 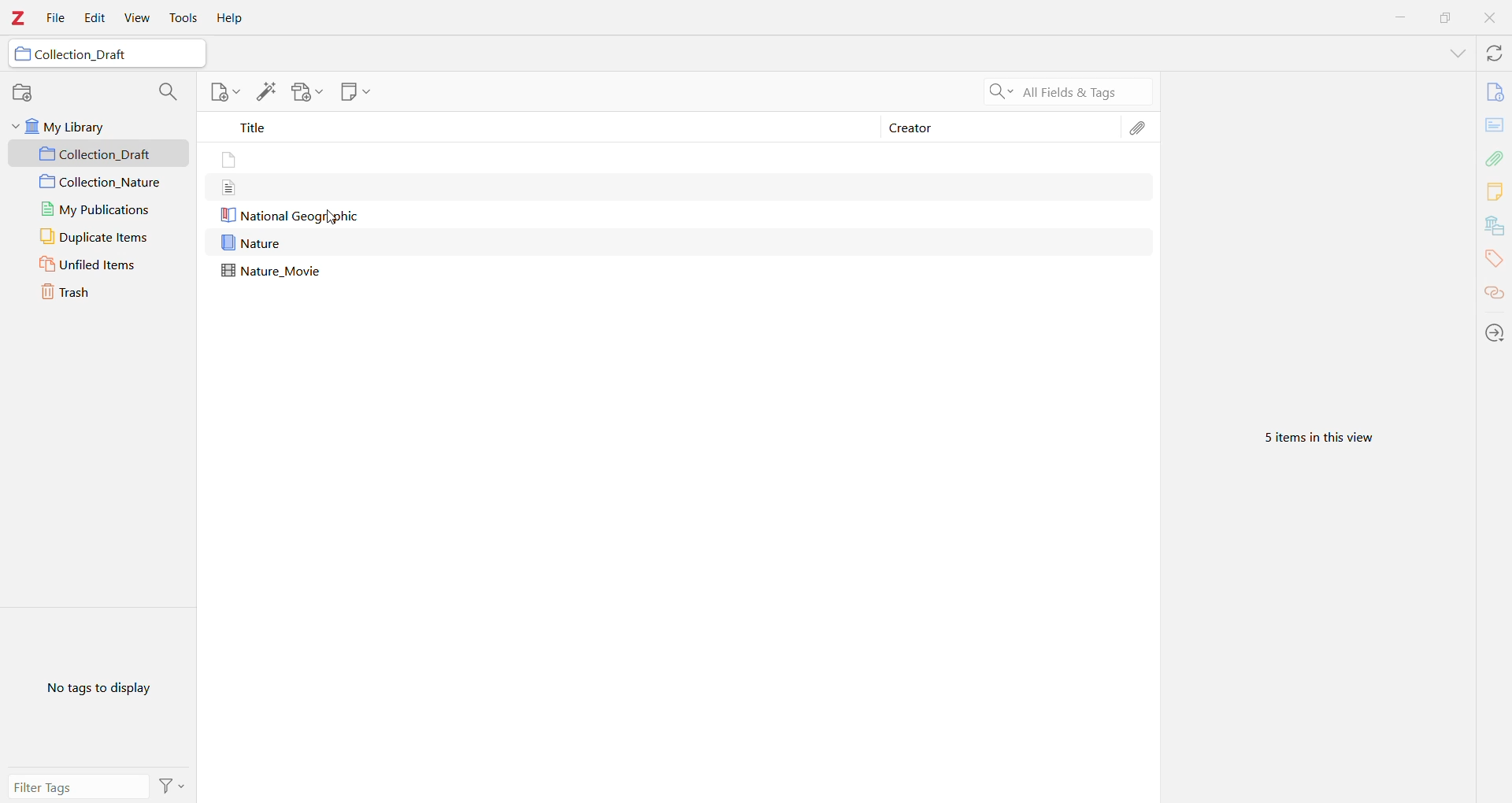 I want to click on Libraries and Collections, so click(x=1493, y=226).